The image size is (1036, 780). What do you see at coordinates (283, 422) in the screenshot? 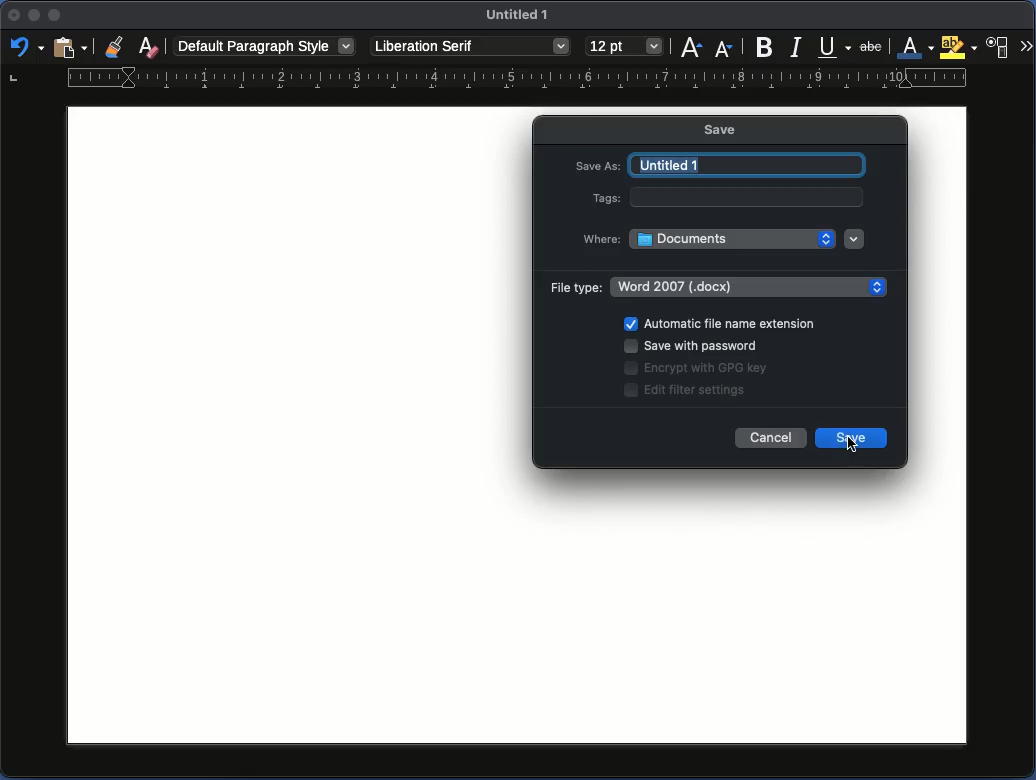
I see `Page` at bounding box center [283, 422].